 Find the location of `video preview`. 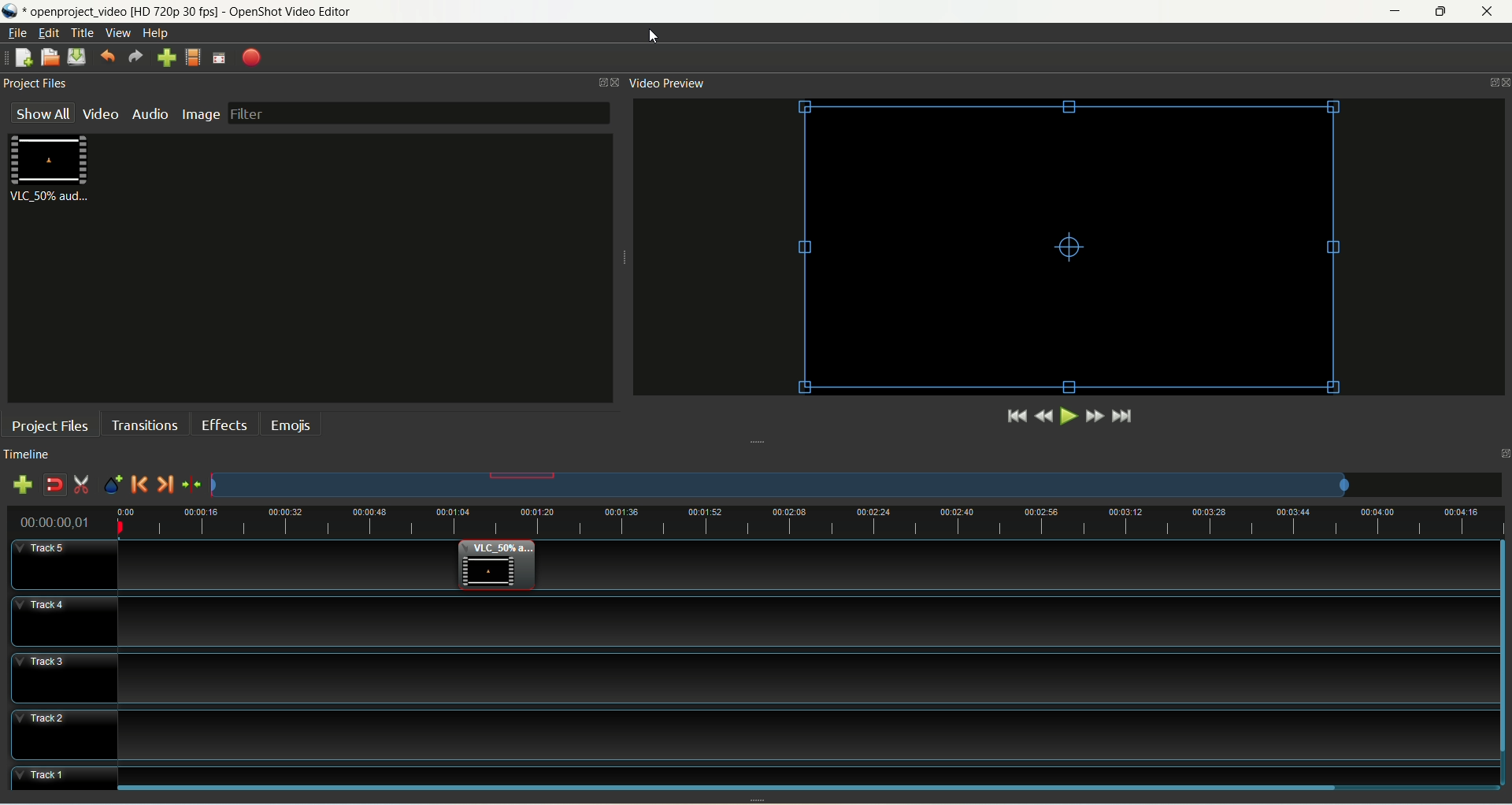

video preview is located at coordinates (669, 84).